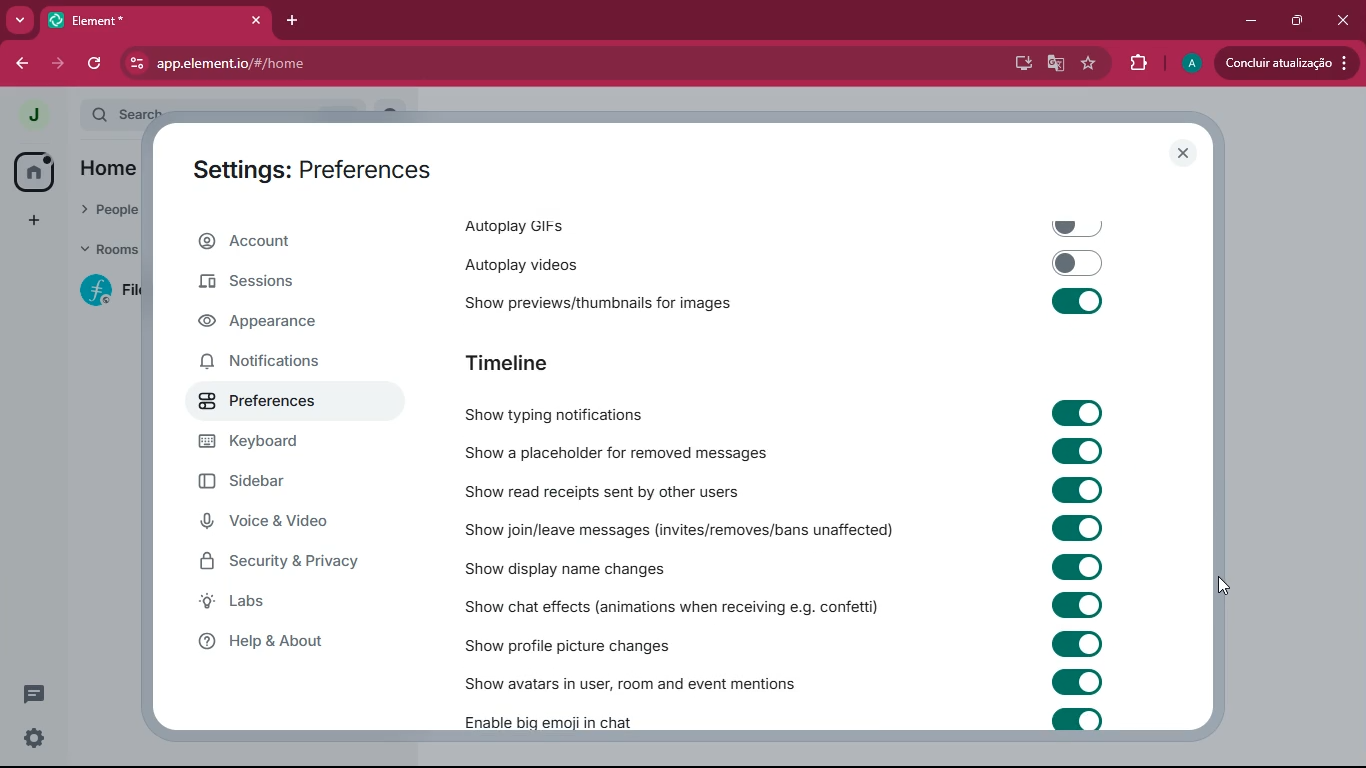  Describe the element at coordinates (1291, 64) in the screenshot. I see `update` at that location.